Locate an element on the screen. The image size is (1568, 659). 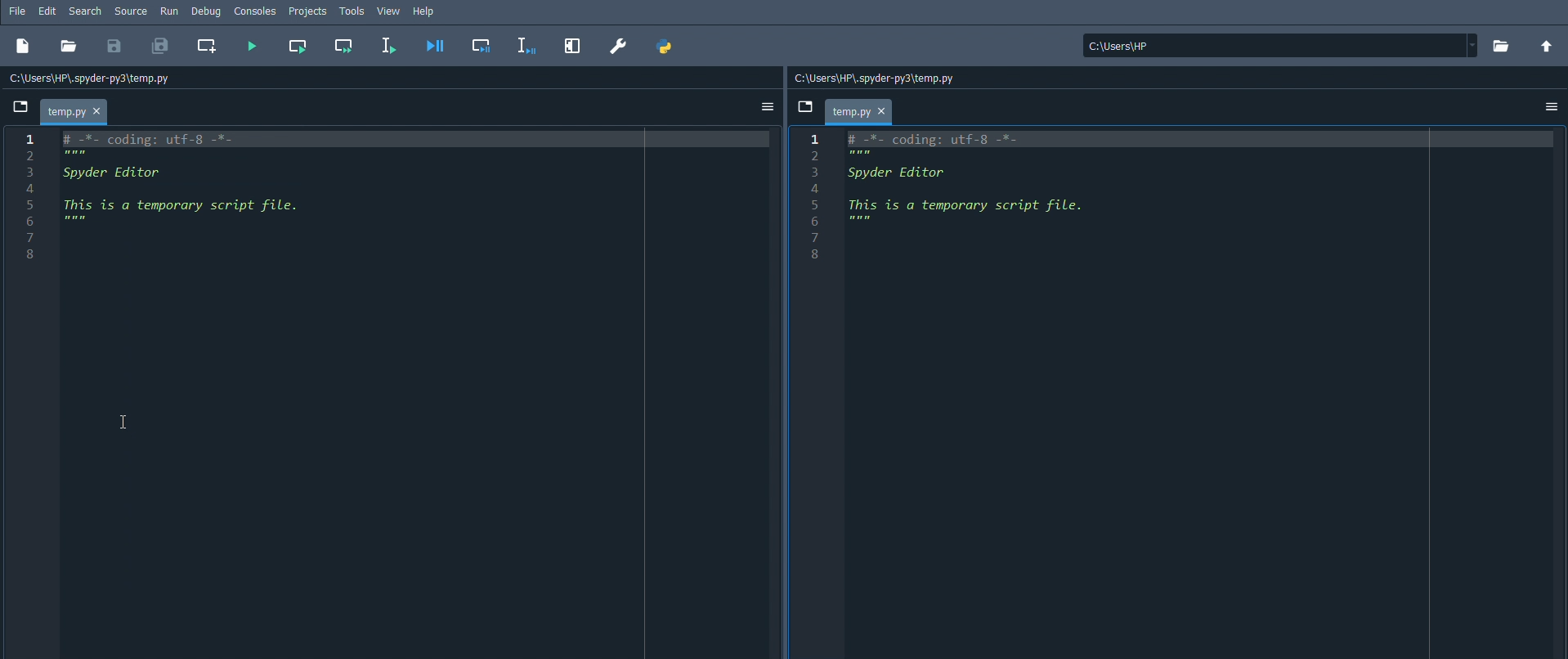
C:\Users\HP\.spyder-py3\temp.py is located at coordinates (883, 78).